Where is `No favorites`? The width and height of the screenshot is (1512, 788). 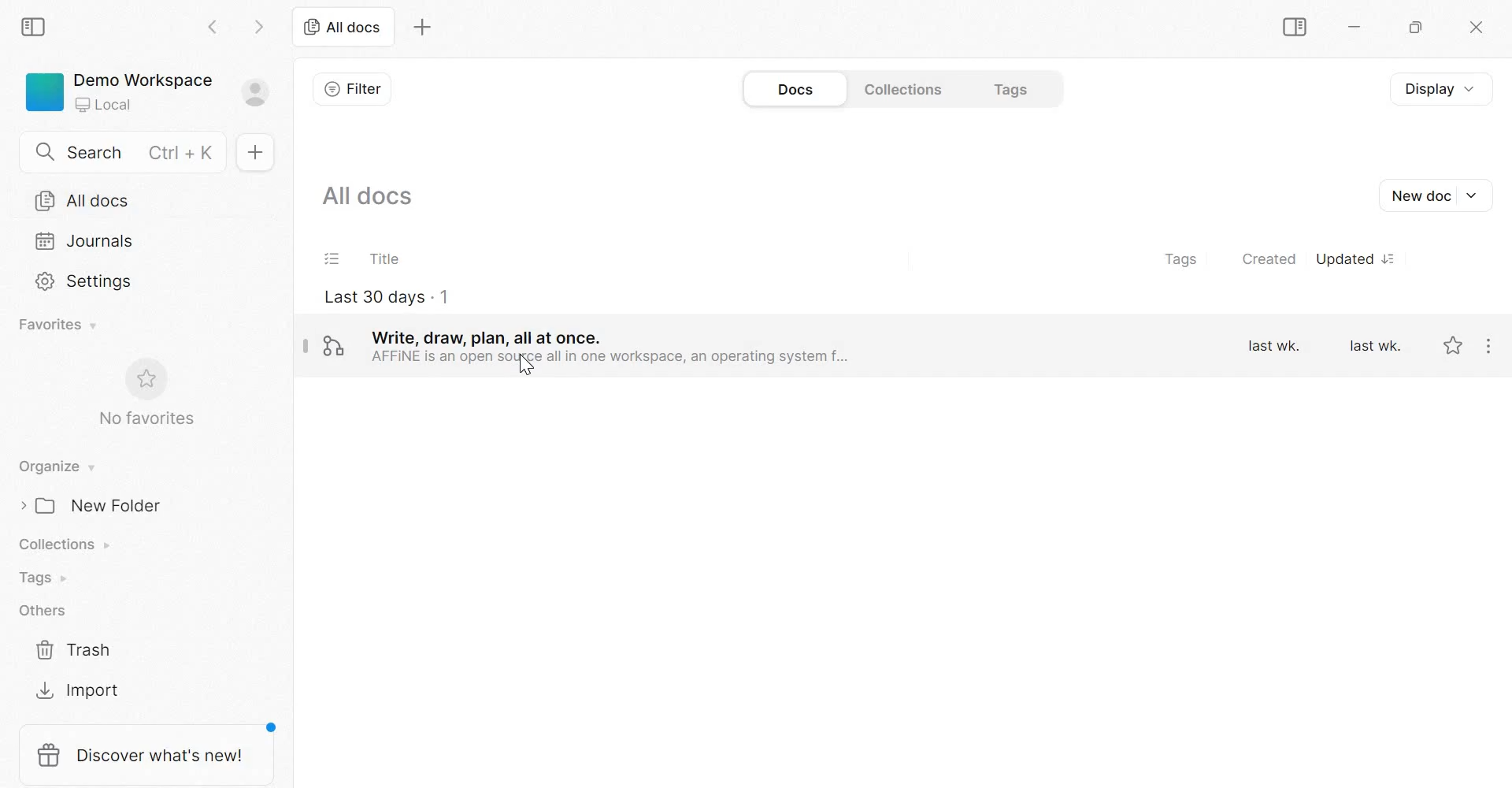 No favorites is located at coordinates (146, 421).